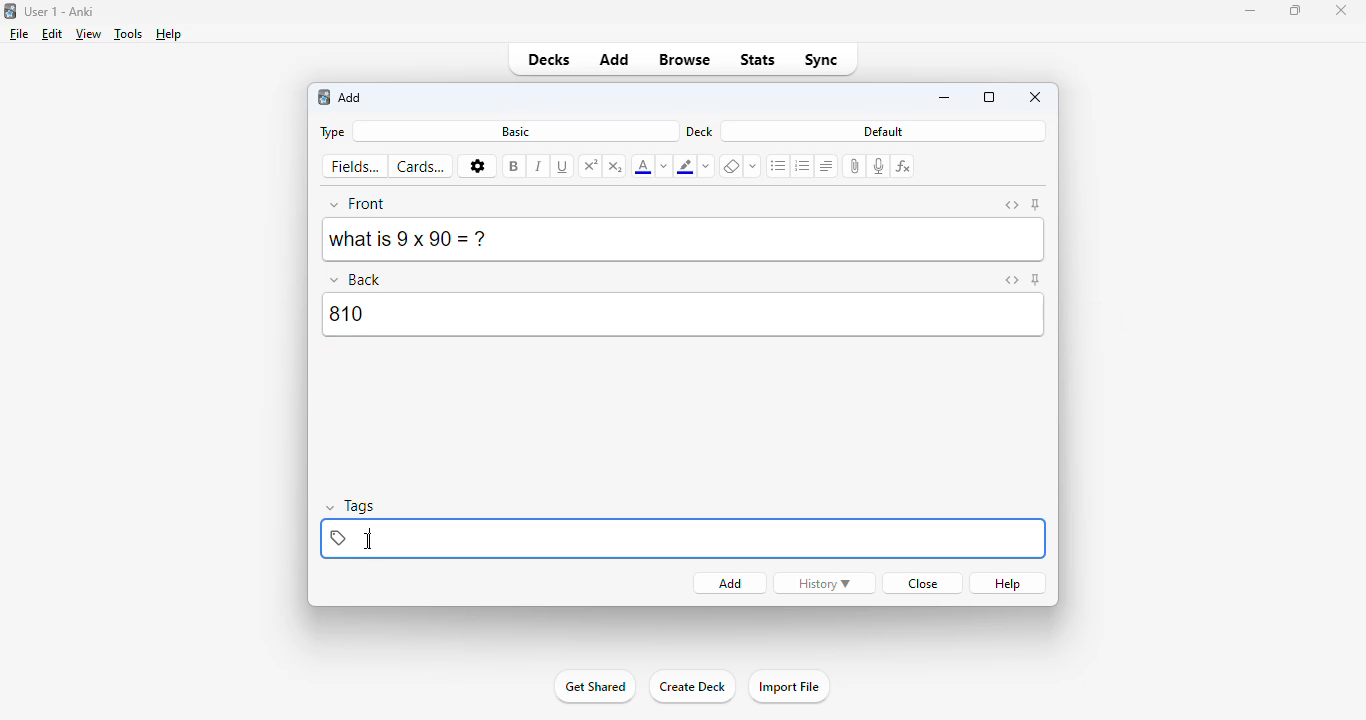 The height and width of the screenshot is (720, 1366). What do you see at coordinates (595, 686) in the screenshot?
I see `get started` at bounding box center [595, 686].